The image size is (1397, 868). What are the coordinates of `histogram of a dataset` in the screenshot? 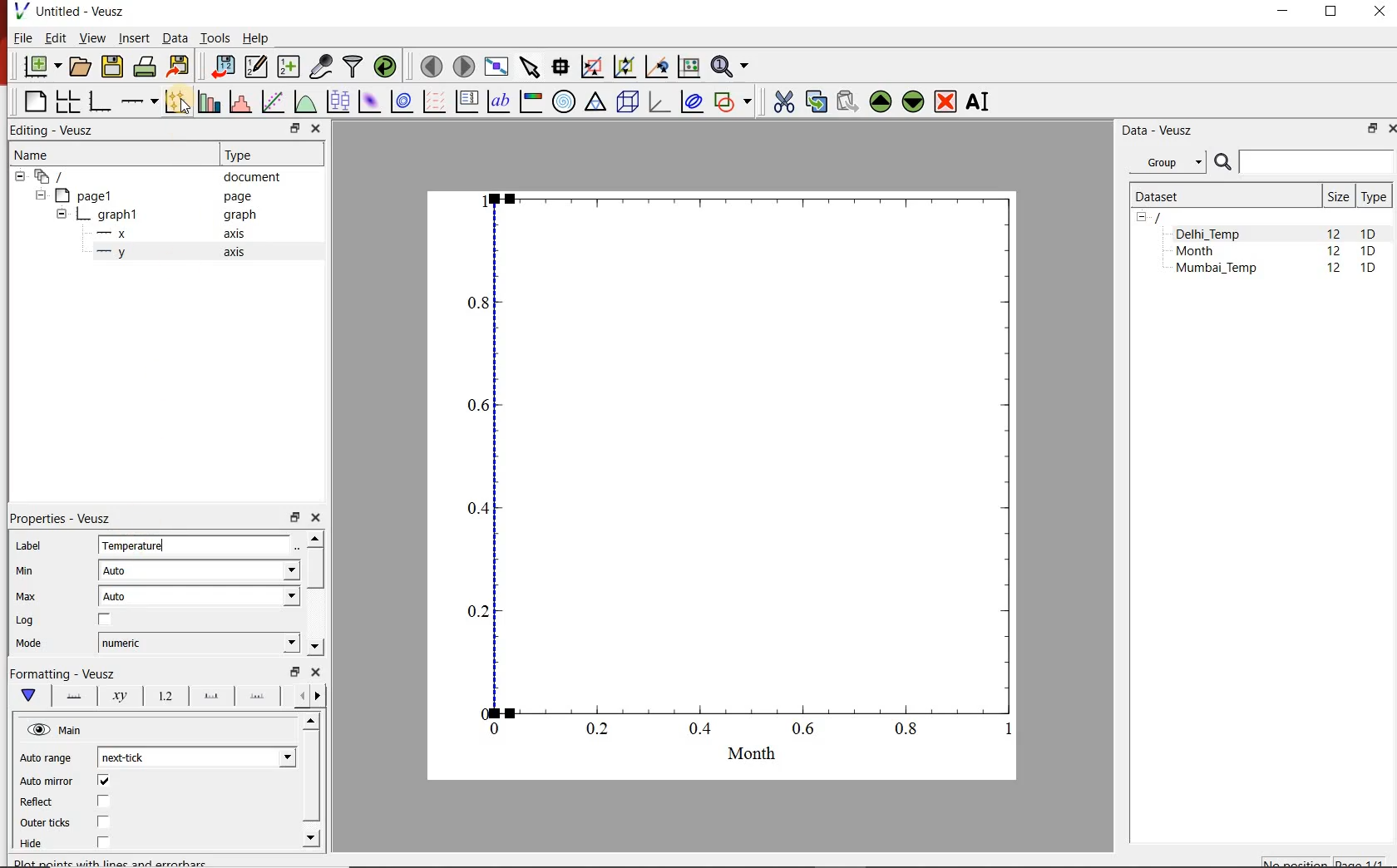 It's located at (239, 101).